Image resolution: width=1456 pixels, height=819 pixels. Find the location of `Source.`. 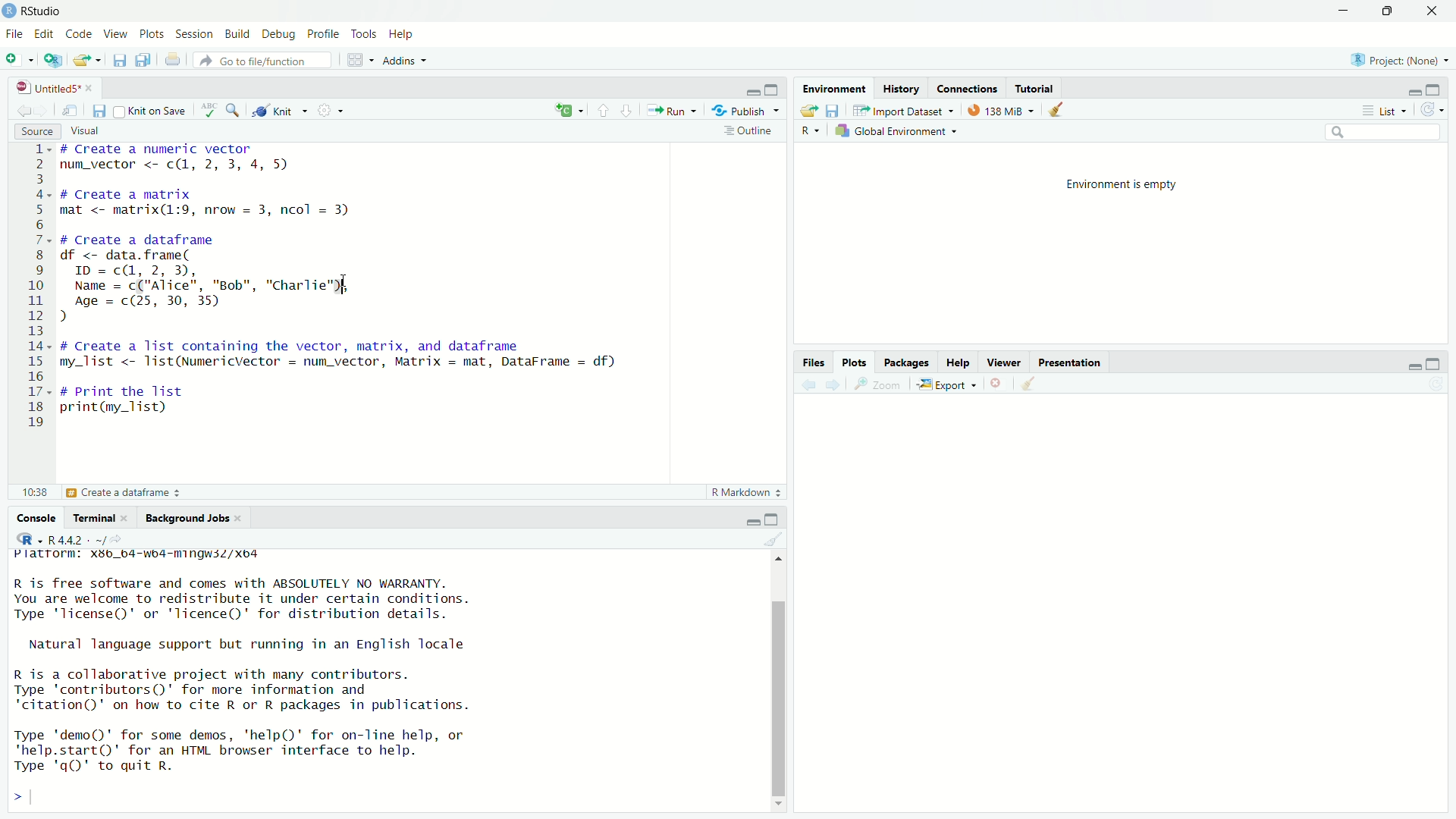

Source. is located at coordinates (29, 130).